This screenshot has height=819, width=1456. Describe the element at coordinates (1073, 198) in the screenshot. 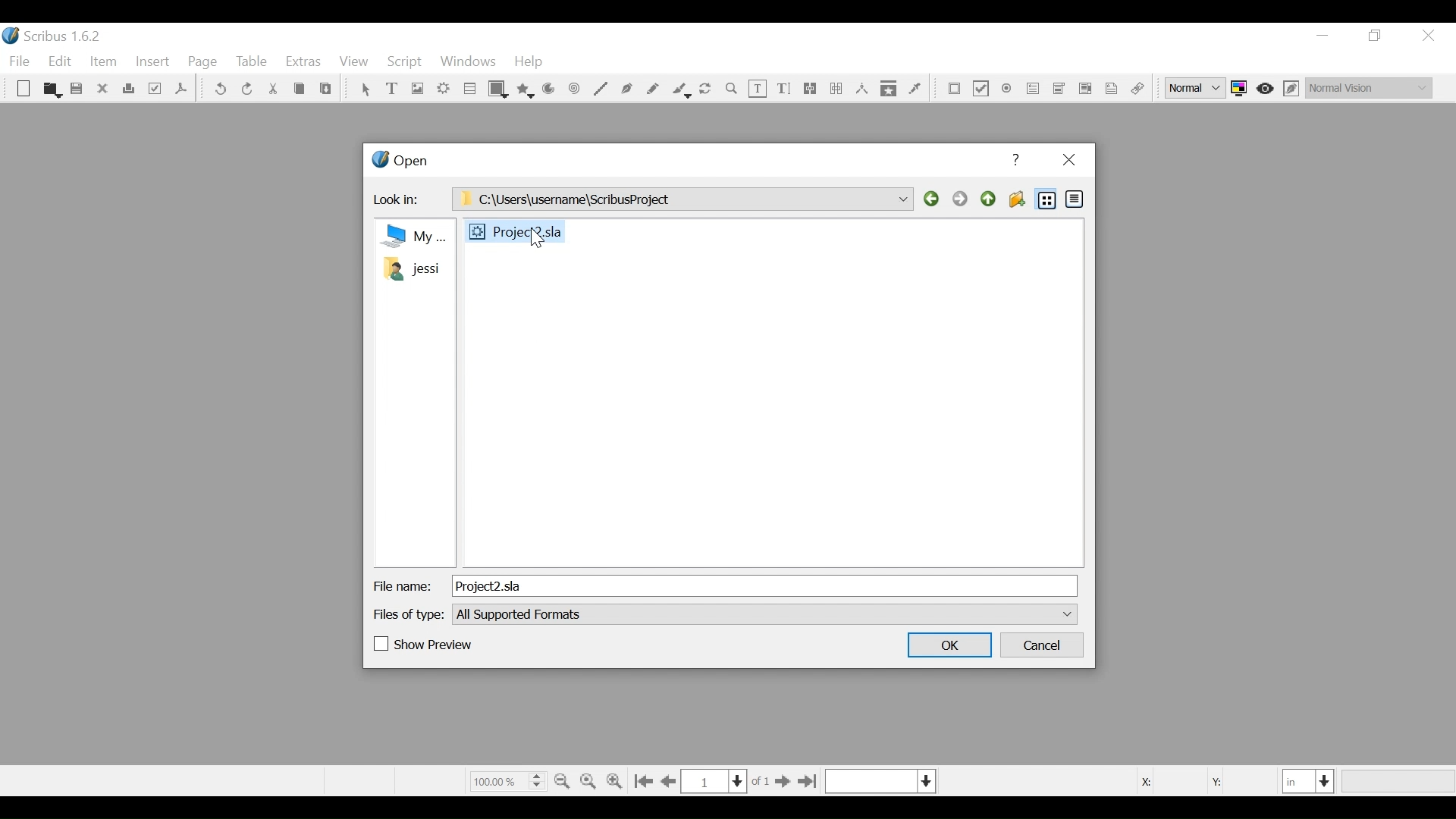

I see `Detail View` at that location.